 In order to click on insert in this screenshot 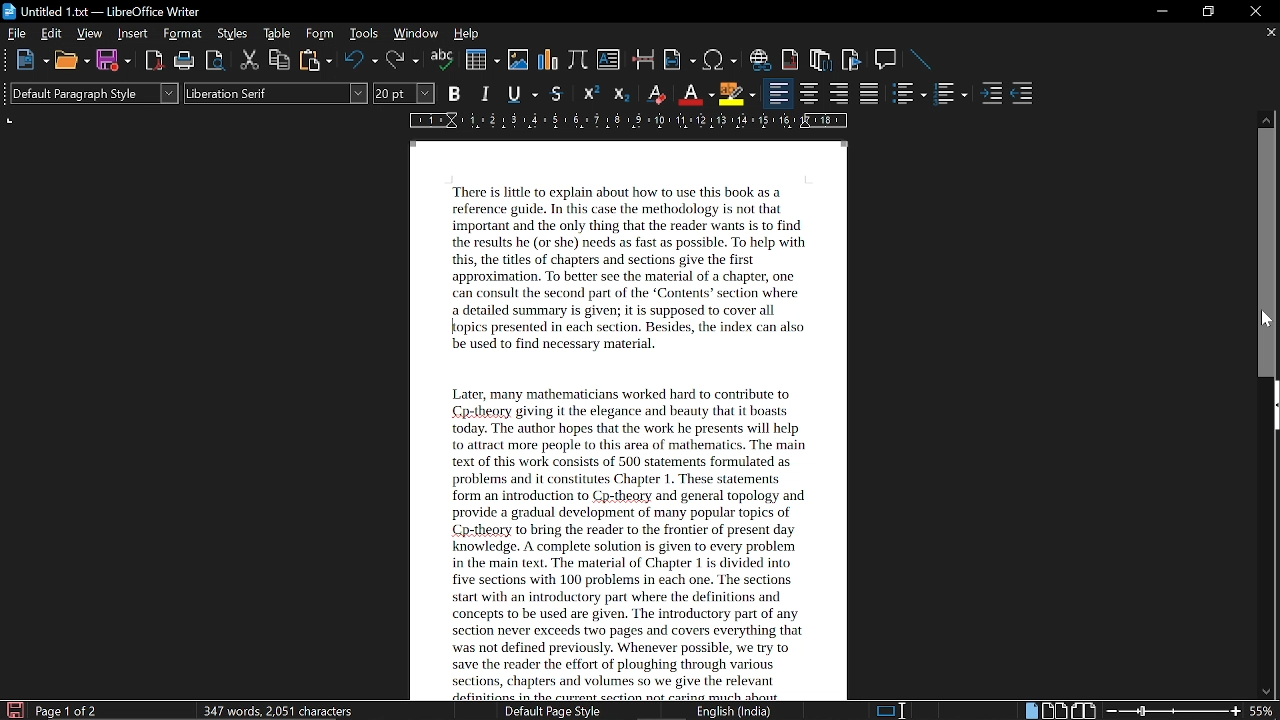, I will do `click(133, 34)`.